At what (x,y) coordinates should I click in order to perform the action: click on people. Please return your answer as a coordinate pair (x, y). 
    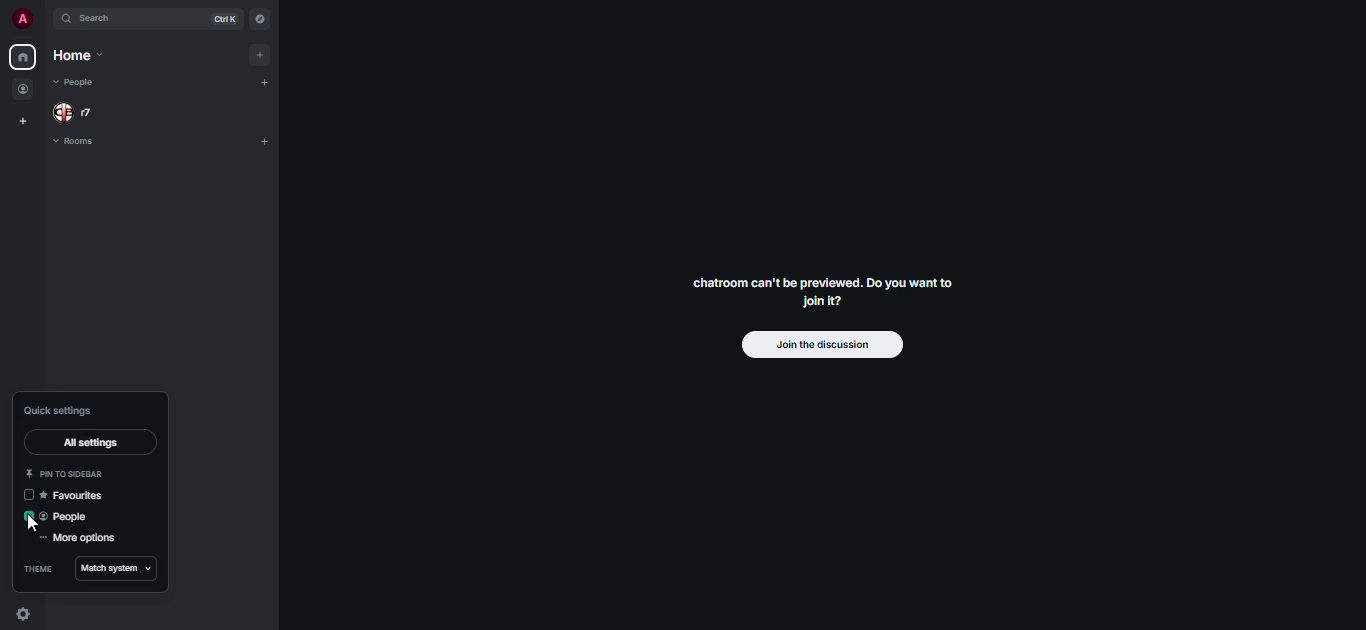
    Looking at the image, I should click on (83, 84).